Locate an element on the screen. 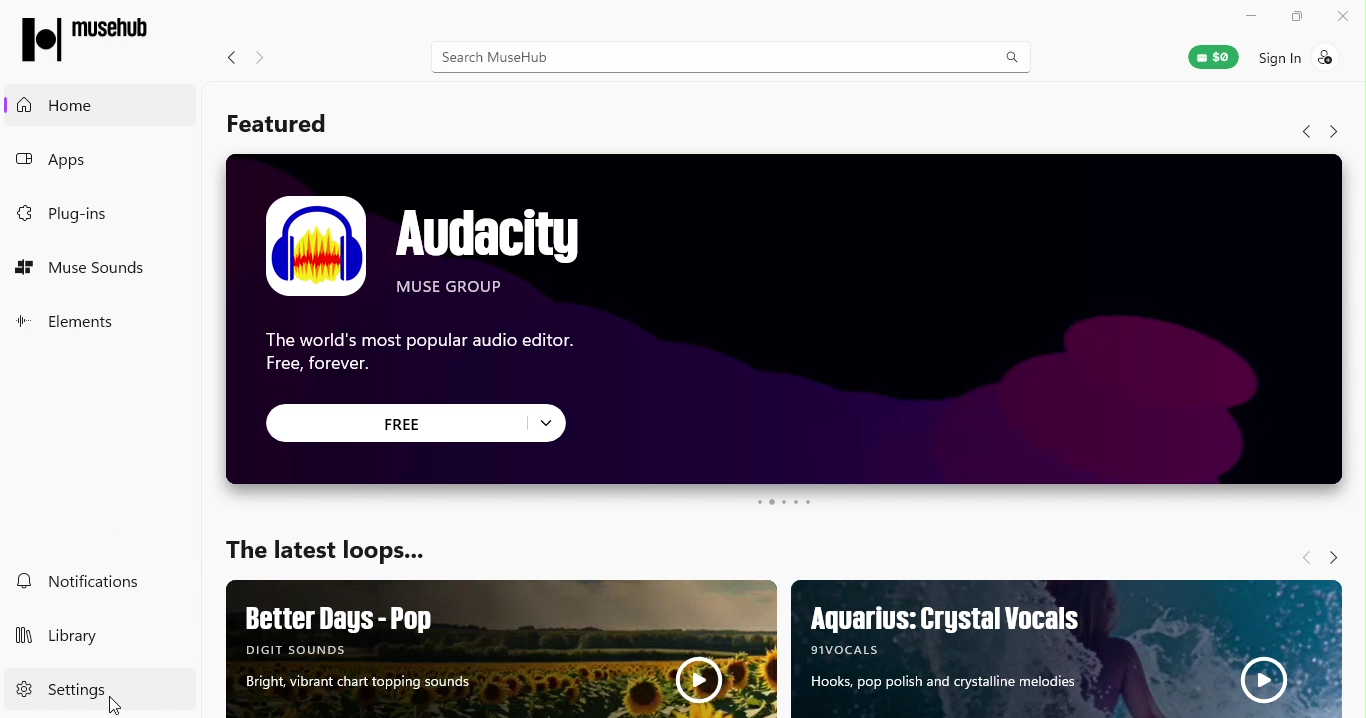 This screenshot has width=1366, height=718. Elements is located at coordinates (81, 322).